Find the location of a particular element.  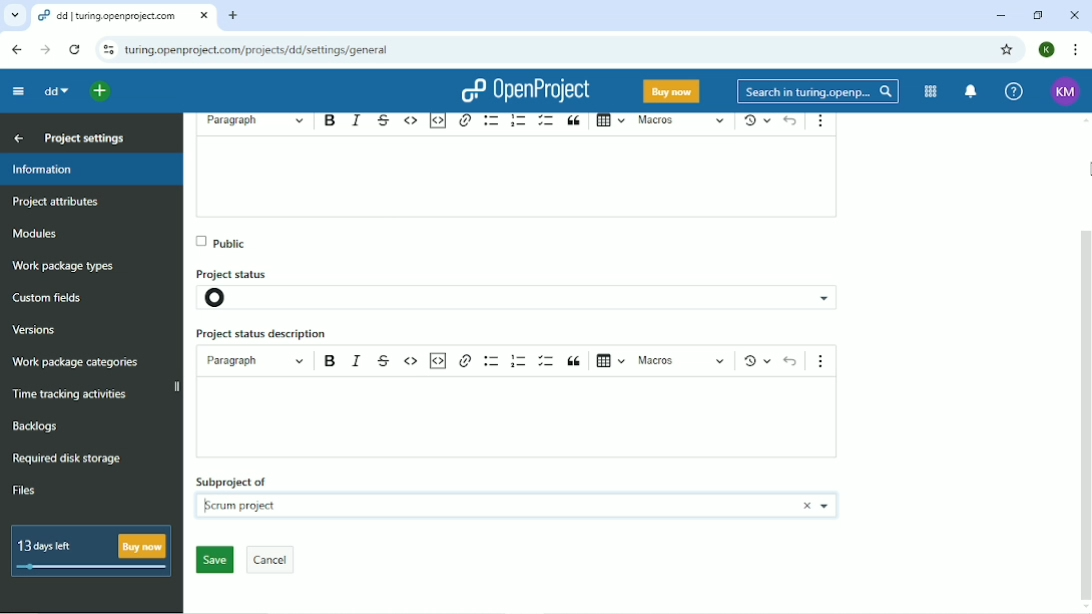

Numbered list is located at coordinates (517, 121).